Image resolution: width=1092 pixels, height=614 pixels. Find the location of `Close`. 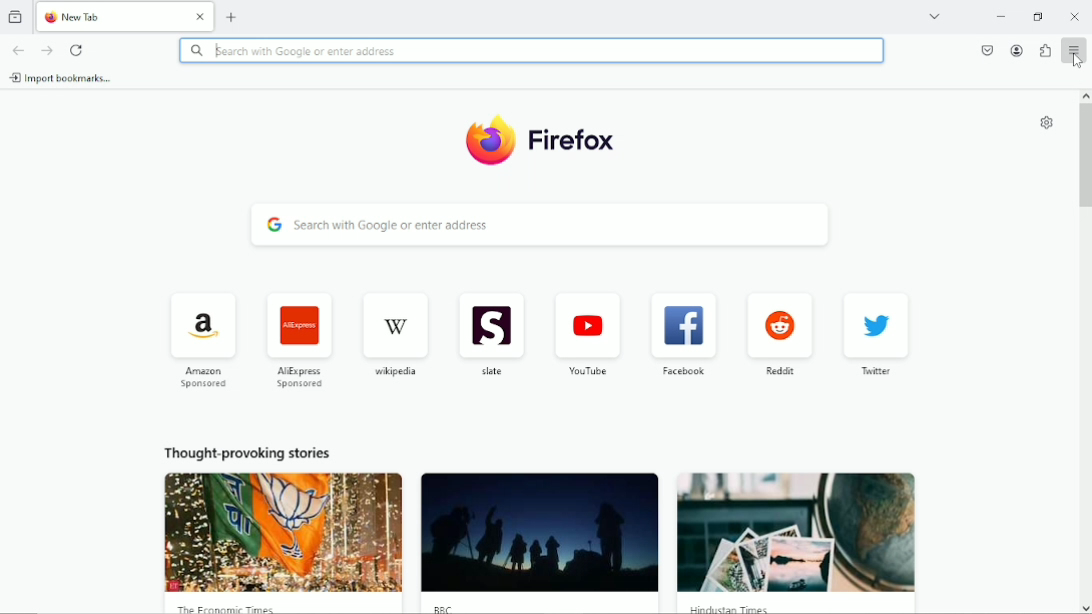

Close is located at coordinates (1075, 16).